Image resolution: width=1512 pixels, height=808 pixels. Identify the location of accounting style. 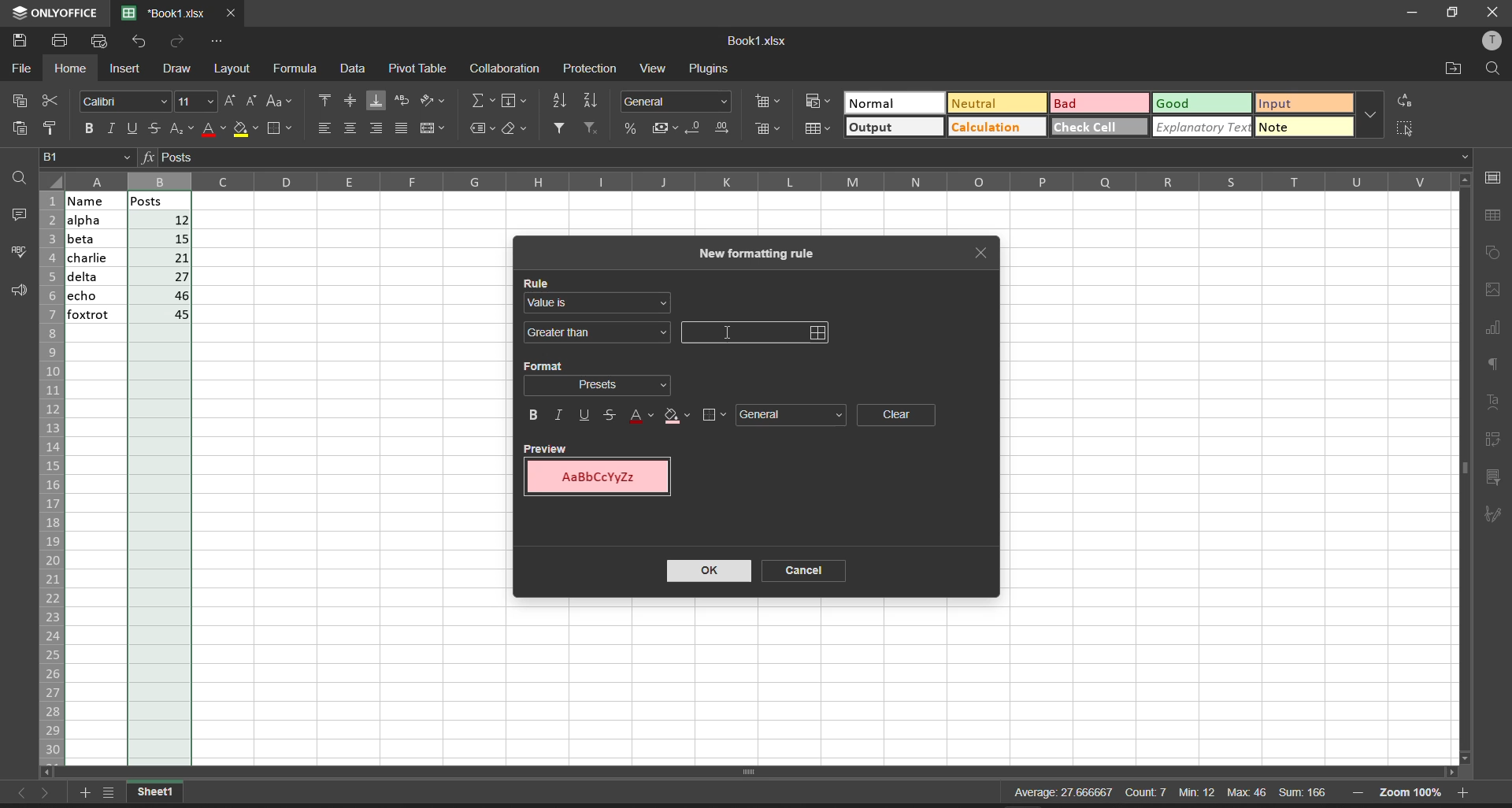
(661, 125).